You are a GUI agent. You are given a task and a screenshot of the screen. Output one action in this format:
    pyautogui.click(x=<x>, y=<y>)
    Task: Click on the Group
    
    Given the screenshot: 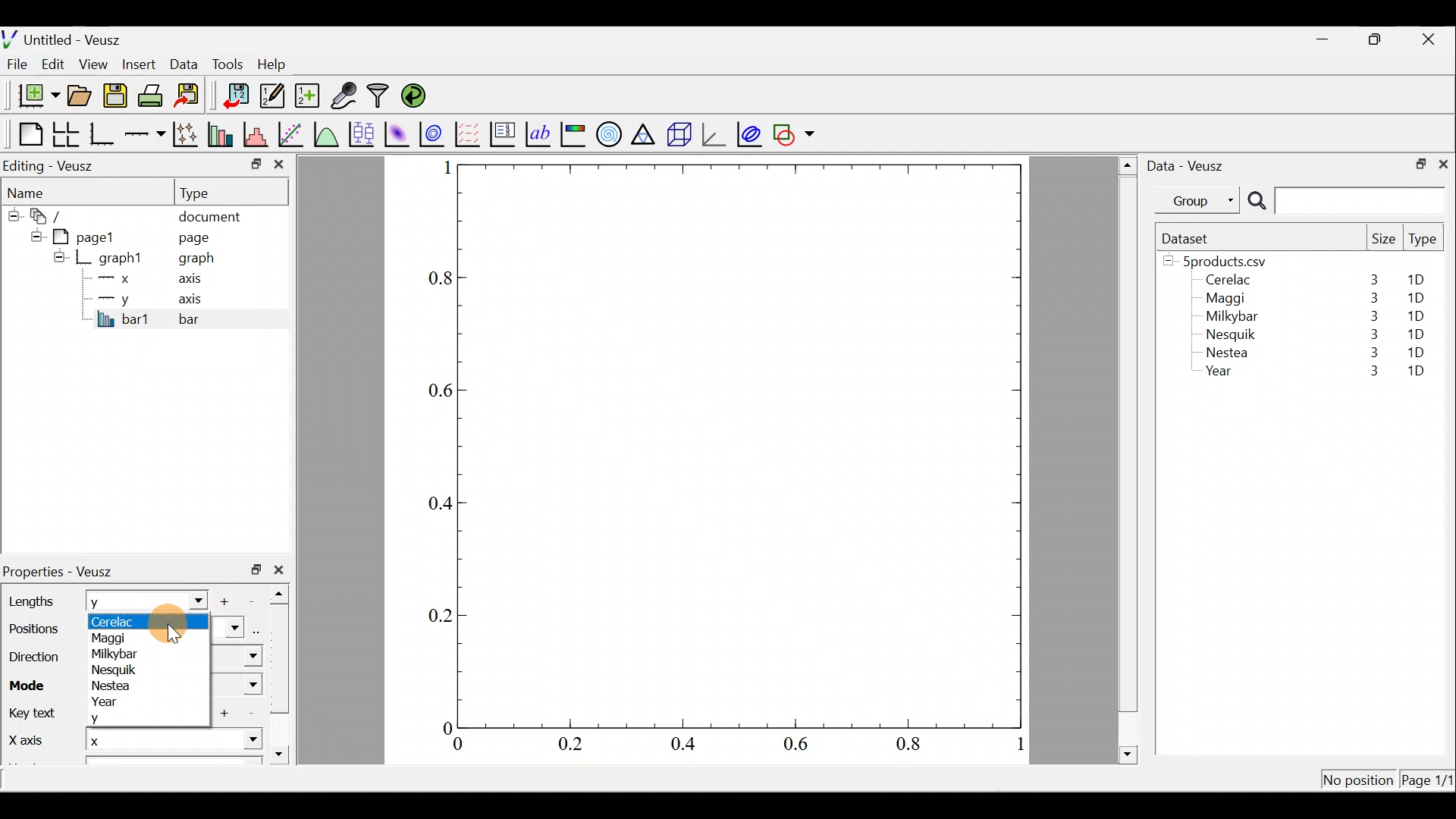 What is the action you would take?
    pyautogui.click(x=1200, y=199)
    